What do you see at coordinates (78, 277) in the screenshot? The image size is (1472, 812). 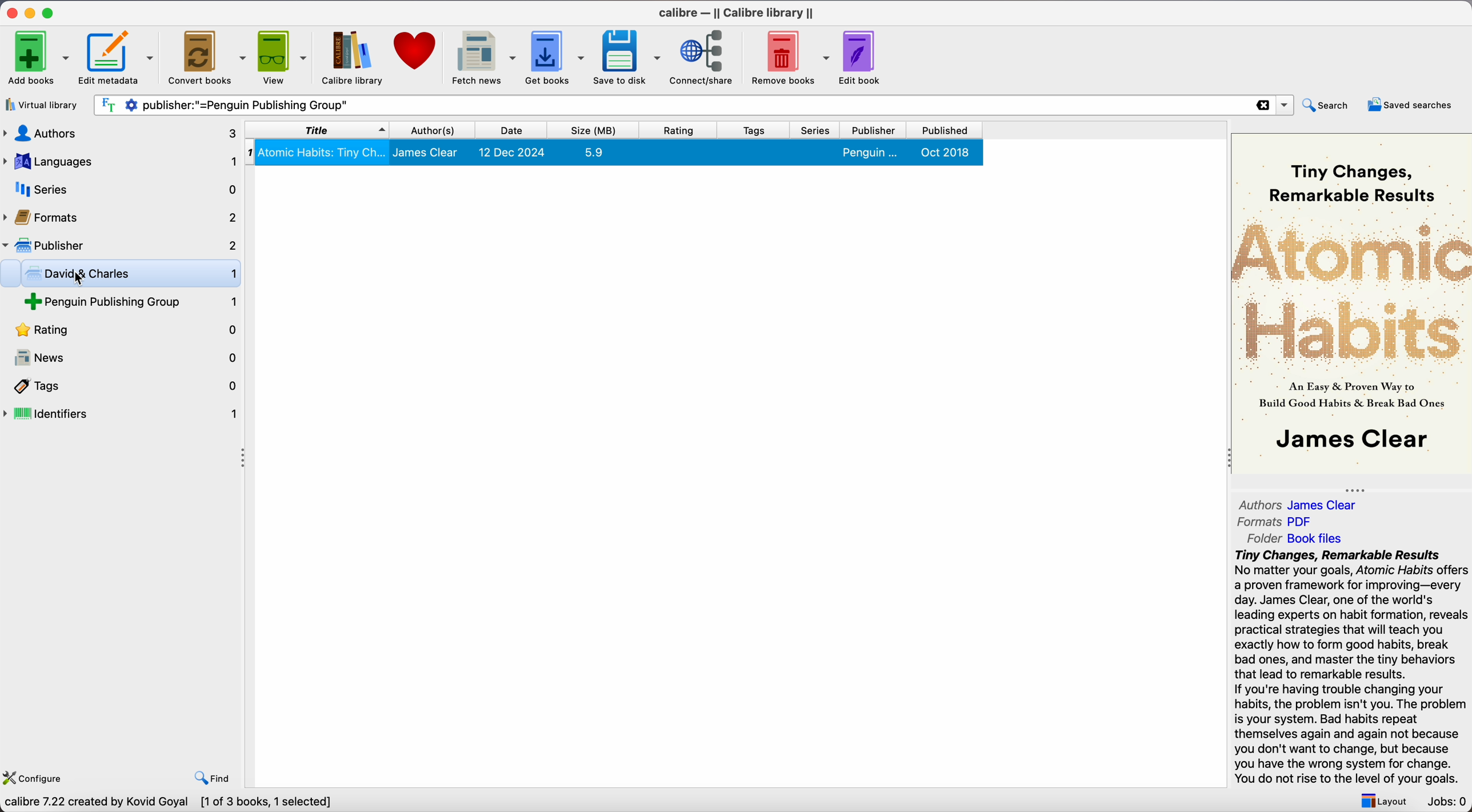 I see `cursor` at bounding box center [78, 277].